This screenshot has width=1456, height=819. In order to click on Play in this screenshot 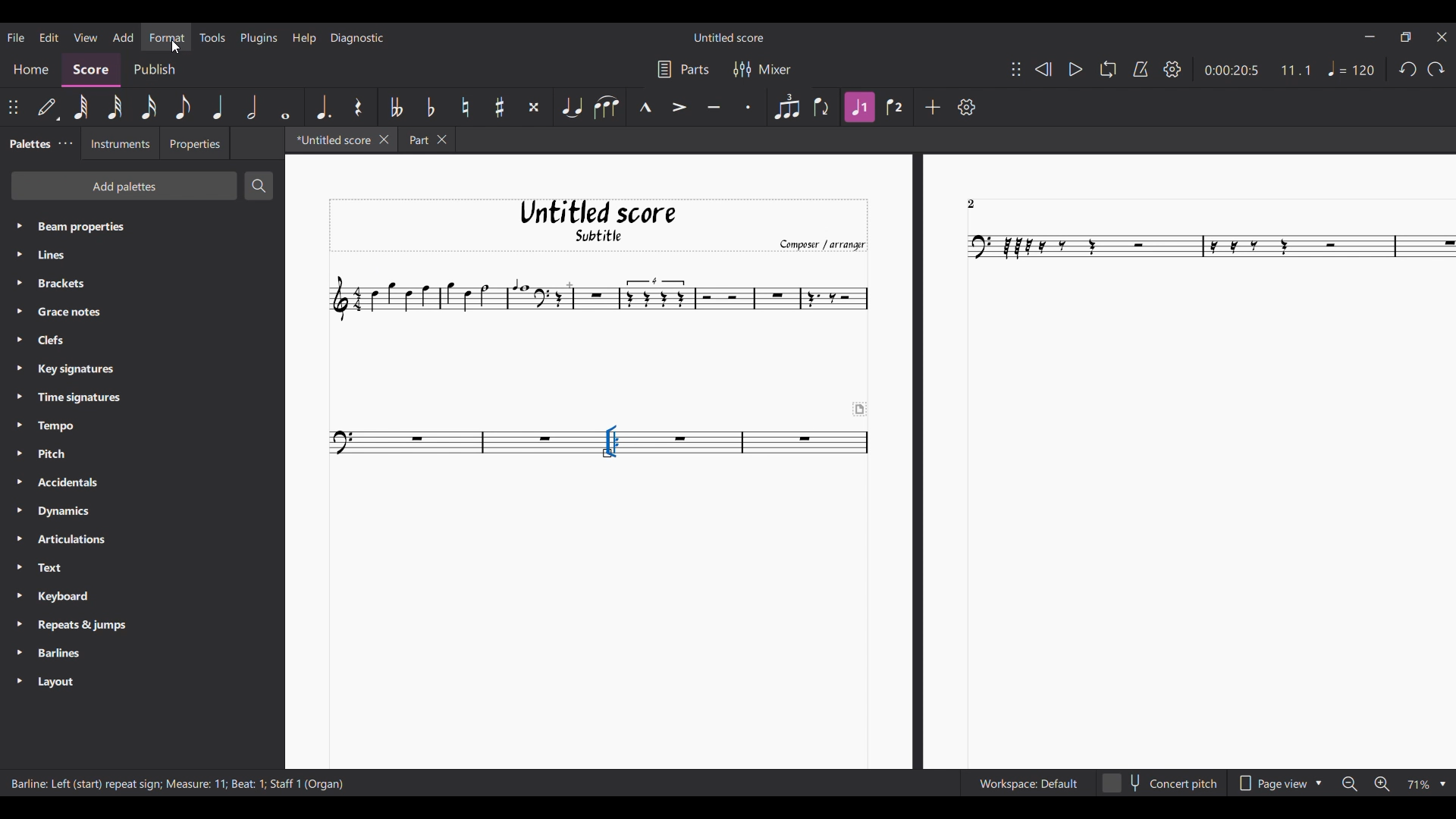, I will do `click(1076, 70)`.